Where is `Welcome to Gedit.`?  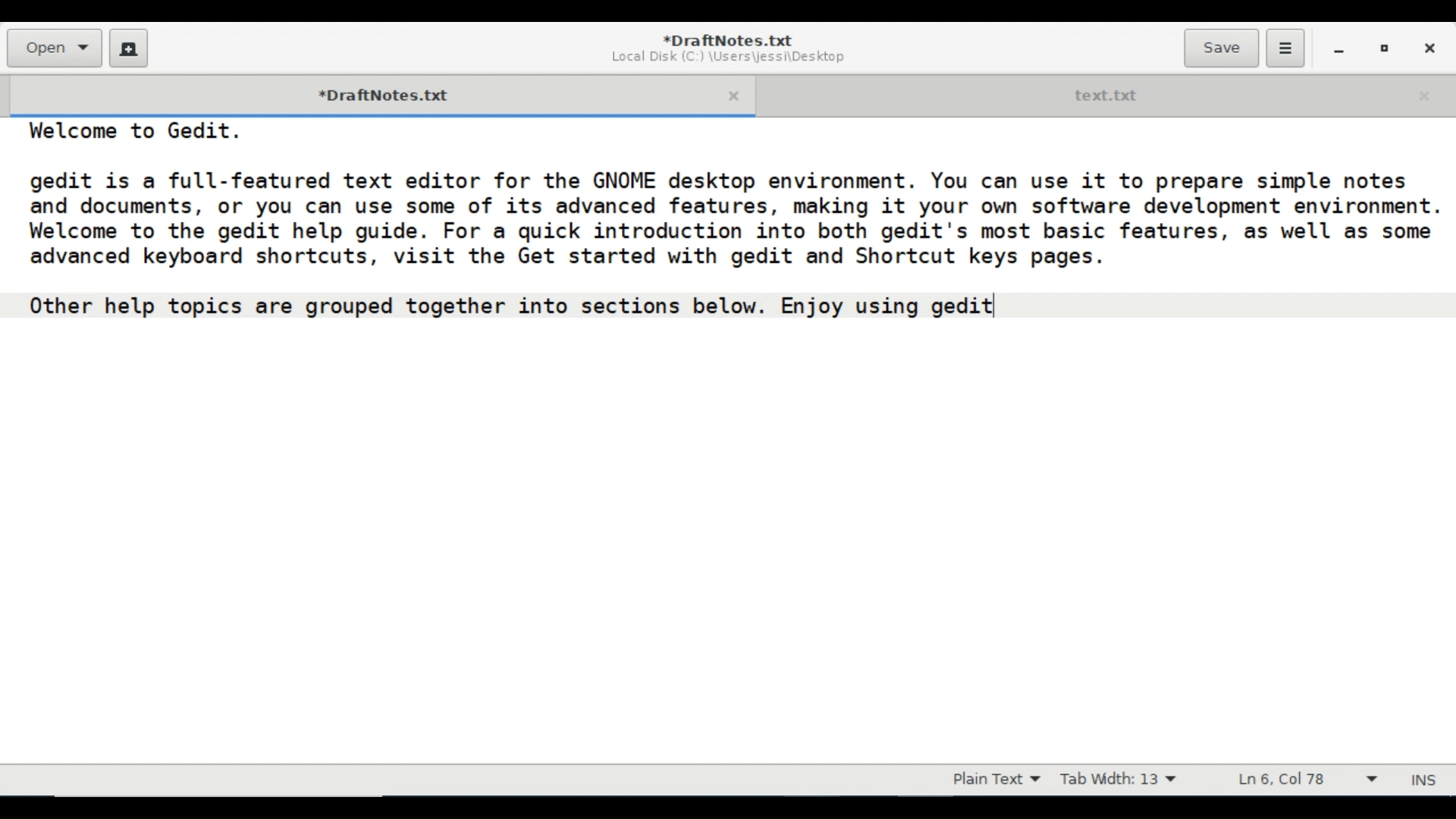 Welcome to Gedit. is located at coordinates (136, 131).